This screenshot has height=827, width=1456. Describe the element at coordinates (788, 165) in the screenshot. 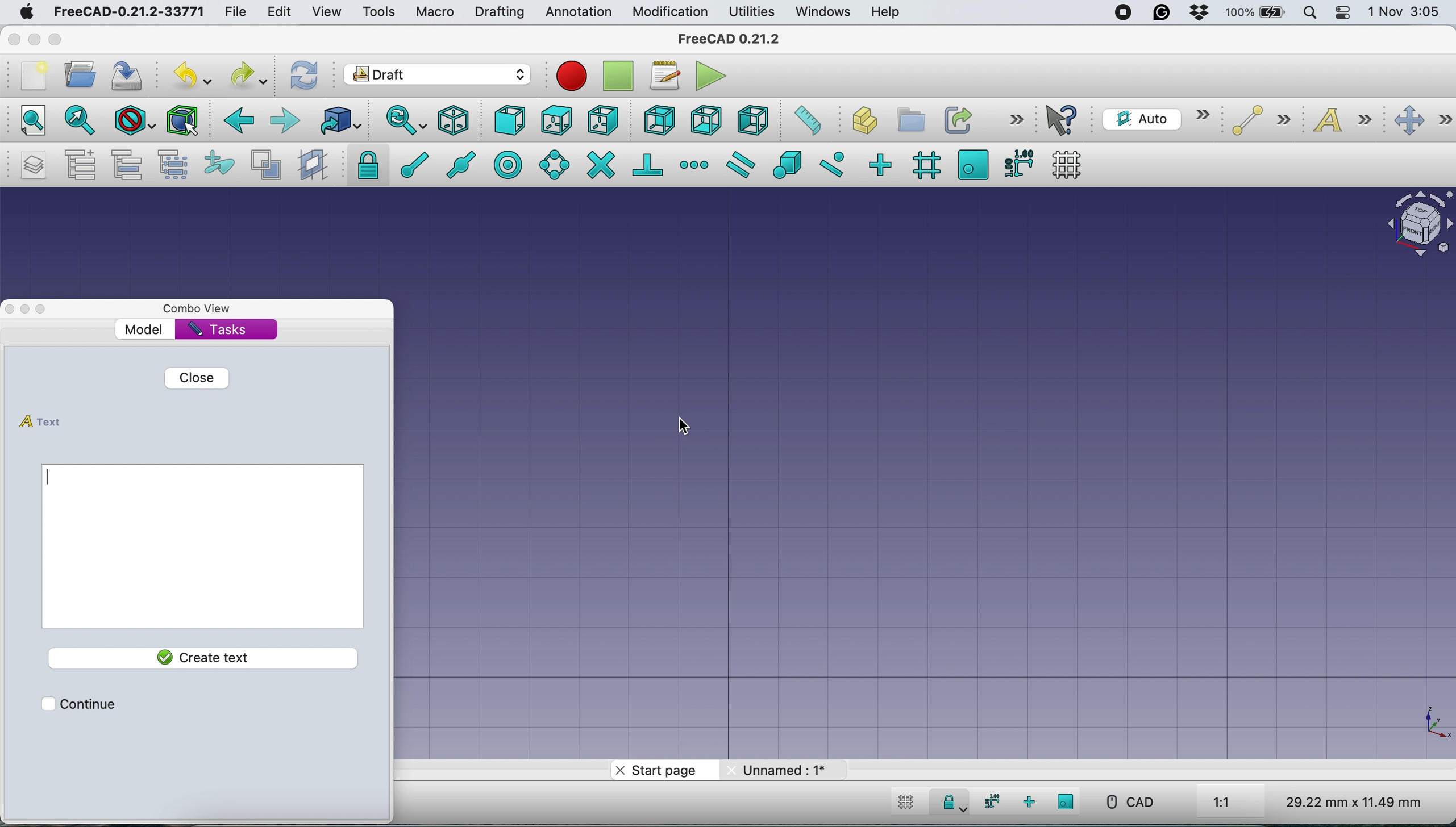

I see `snap special` at that location.